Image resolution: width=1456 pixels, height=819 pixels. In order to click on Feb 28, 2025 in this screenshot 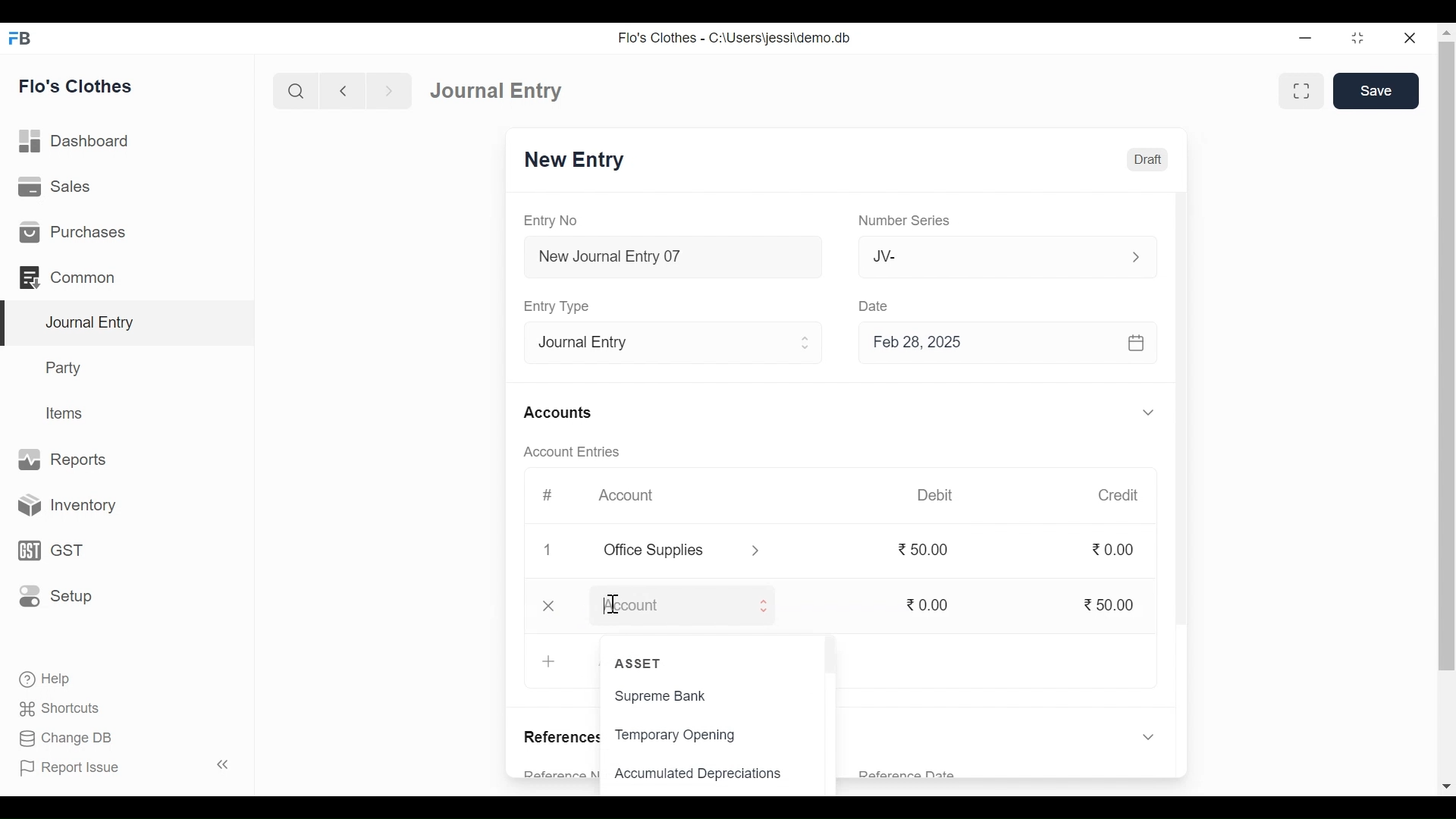, I will do `click(1011, 345)`.